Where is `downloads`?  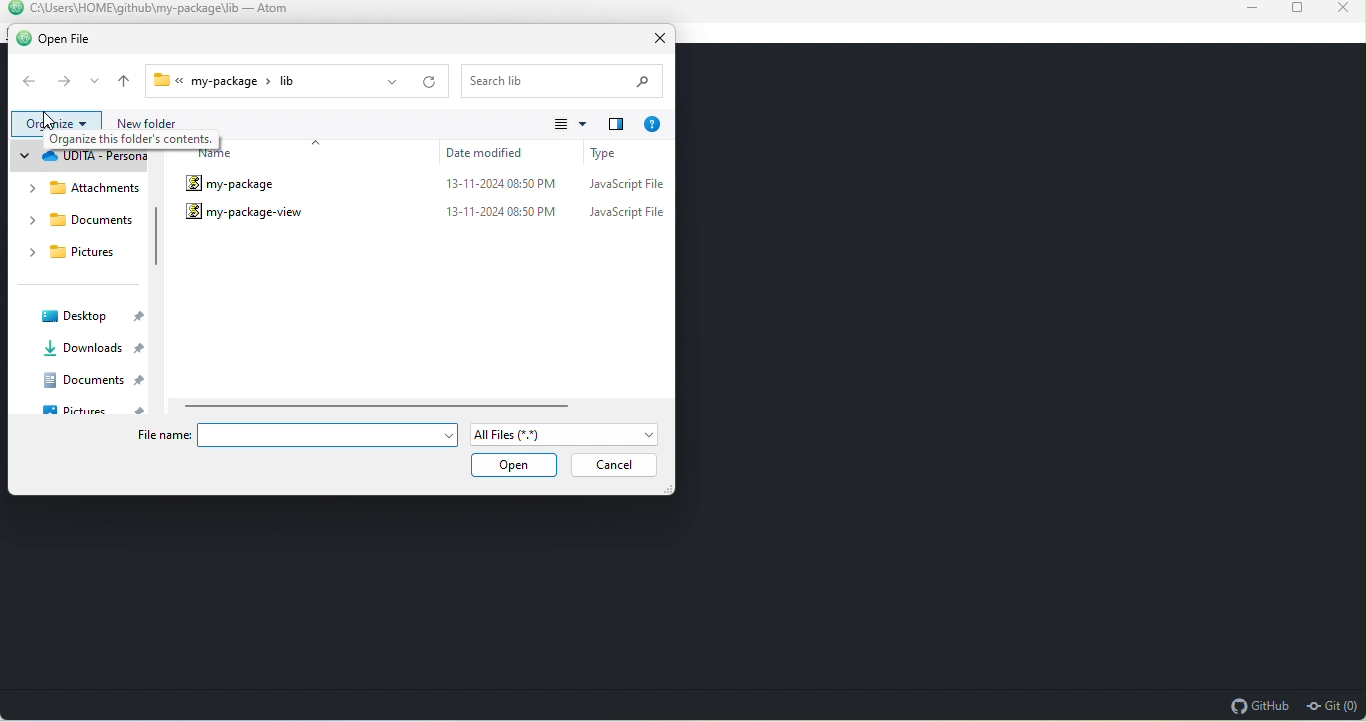 downloads is located at coordinates (84, 349).